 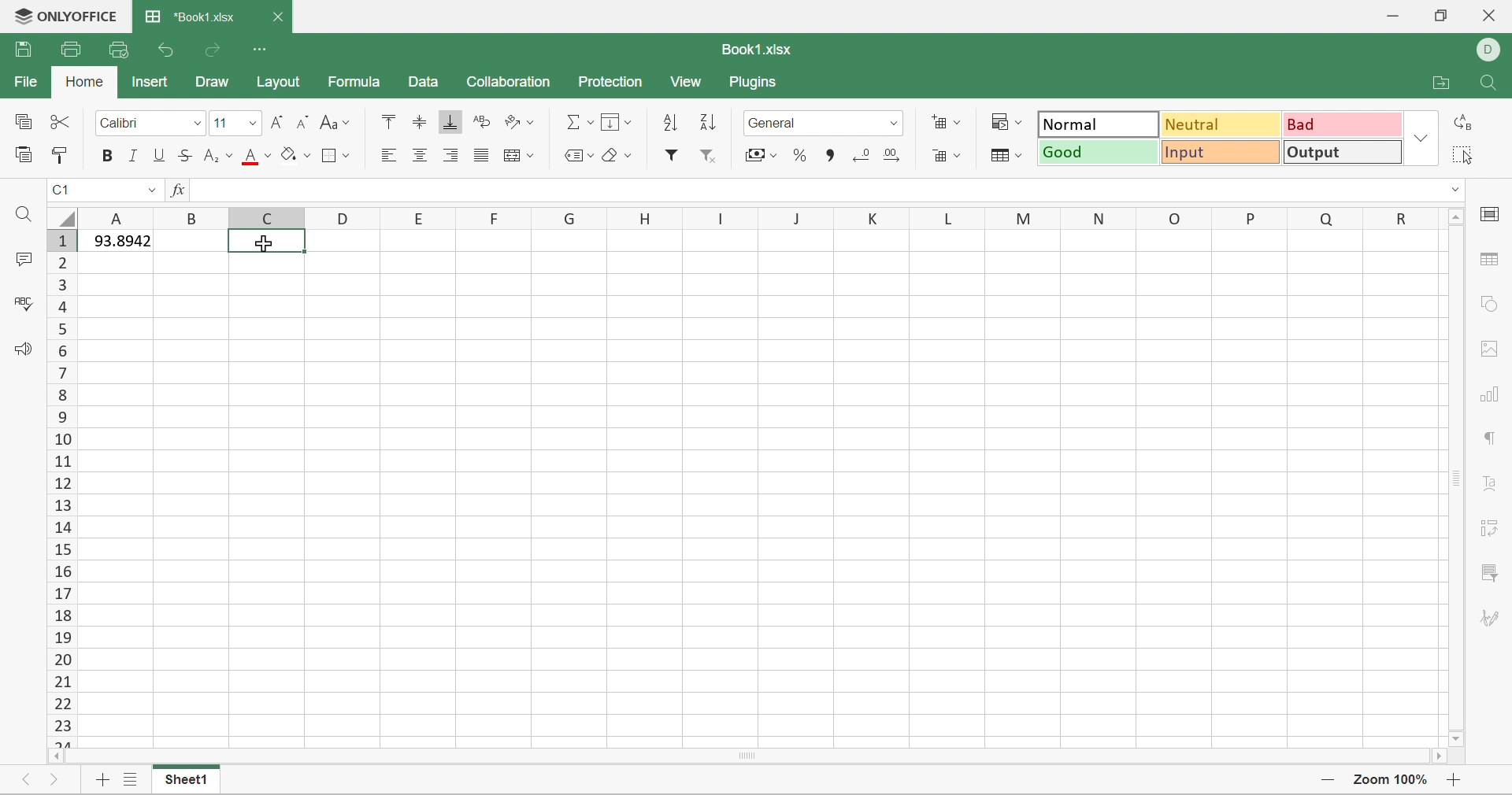 I want to click on Feedback & Support, so click(x=27, y=350).